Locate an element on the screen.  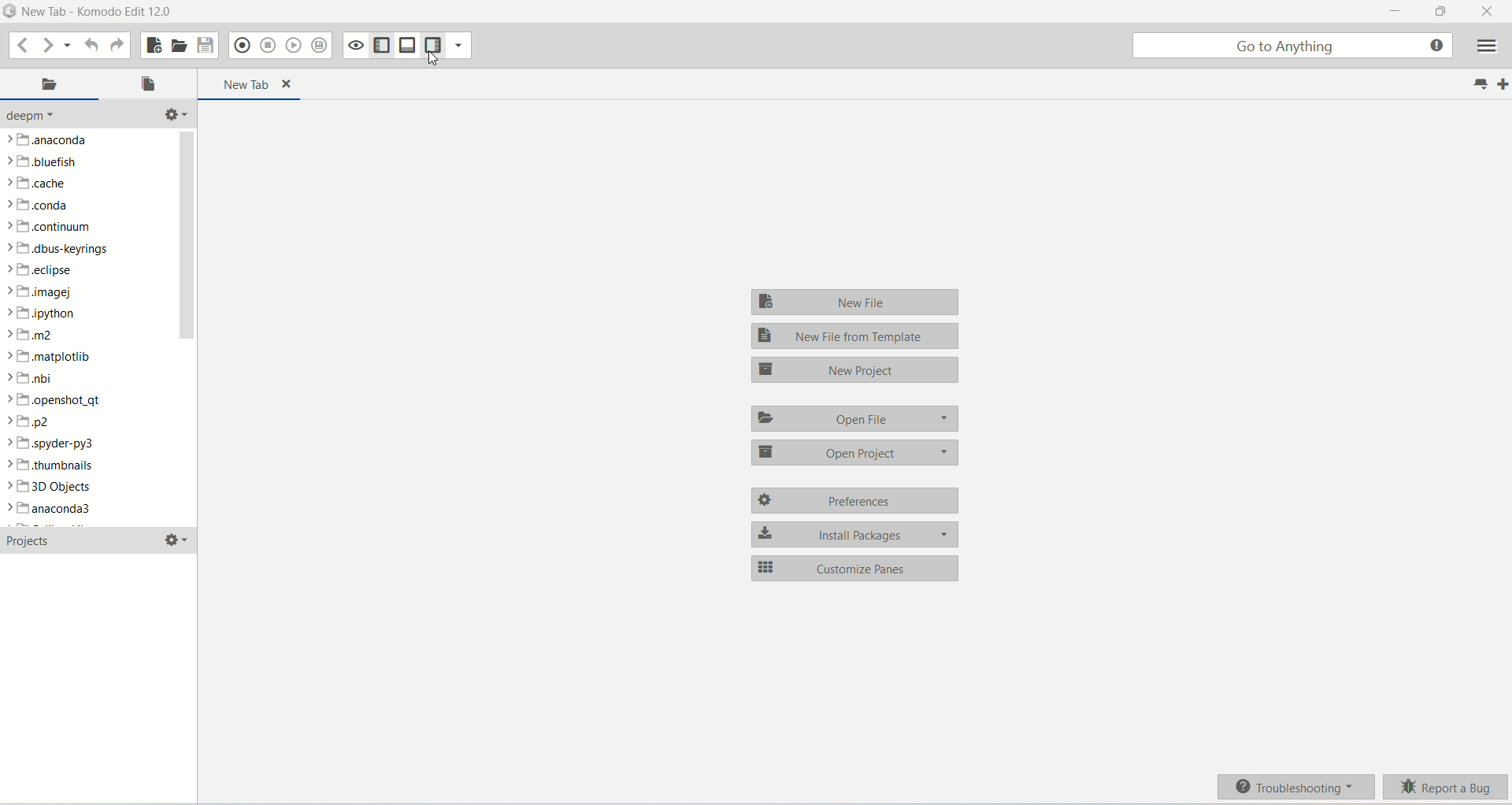
bluefish is located at coordinates (46, 161).